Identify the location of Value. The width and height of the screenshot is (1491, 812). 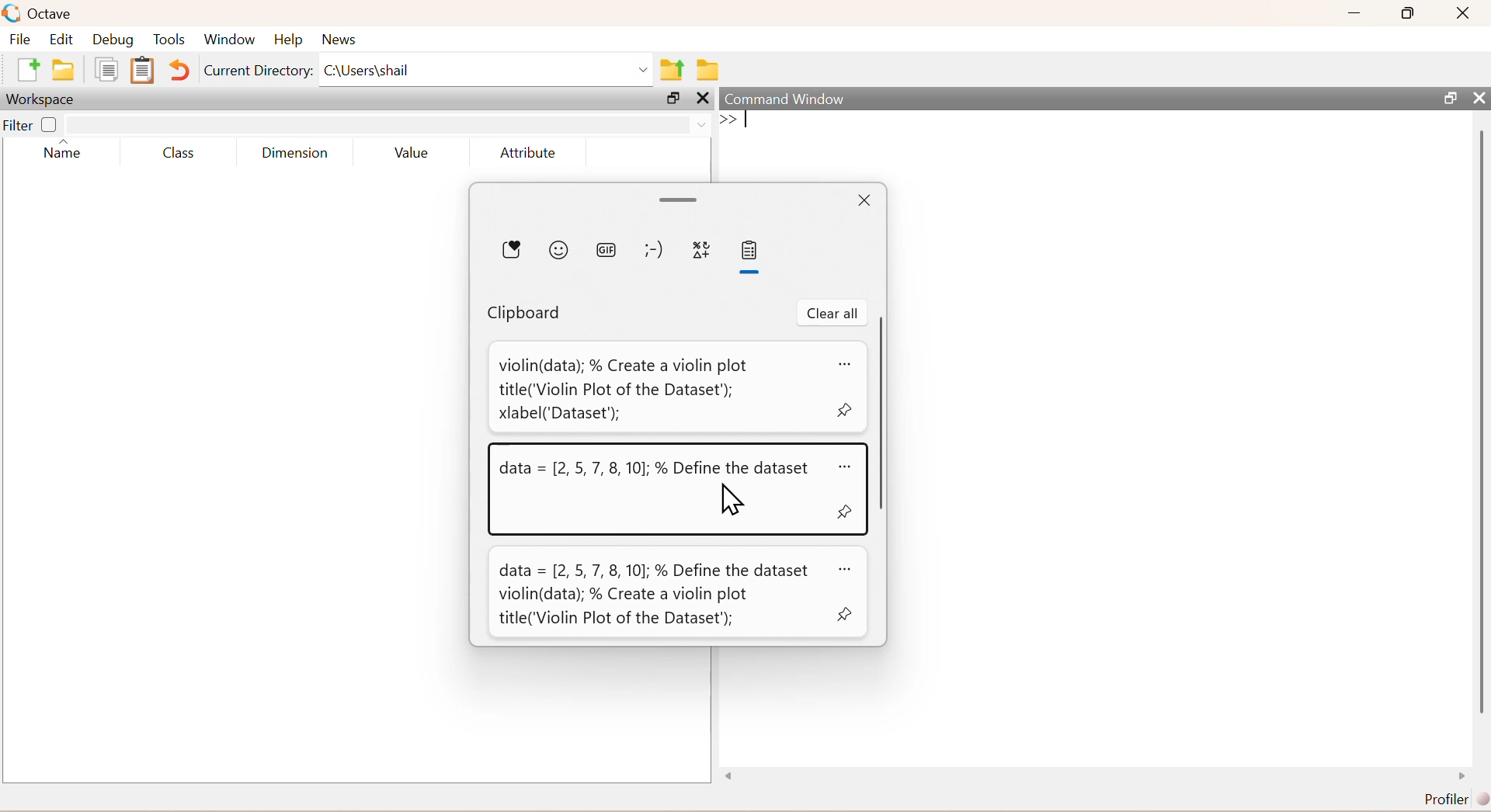
(412, 152).